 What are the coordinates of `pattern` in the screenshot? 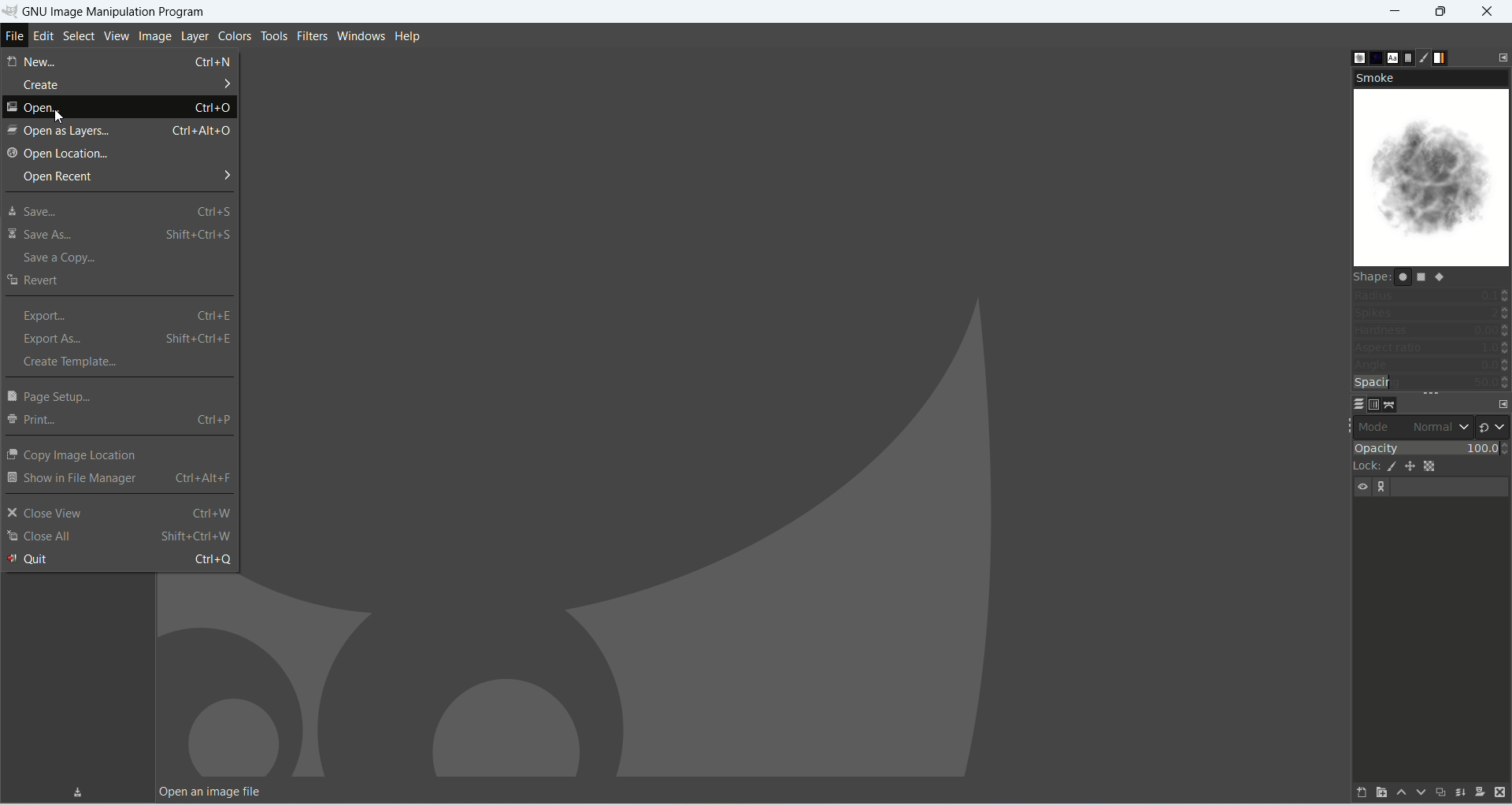 It's located at (1374, 57).